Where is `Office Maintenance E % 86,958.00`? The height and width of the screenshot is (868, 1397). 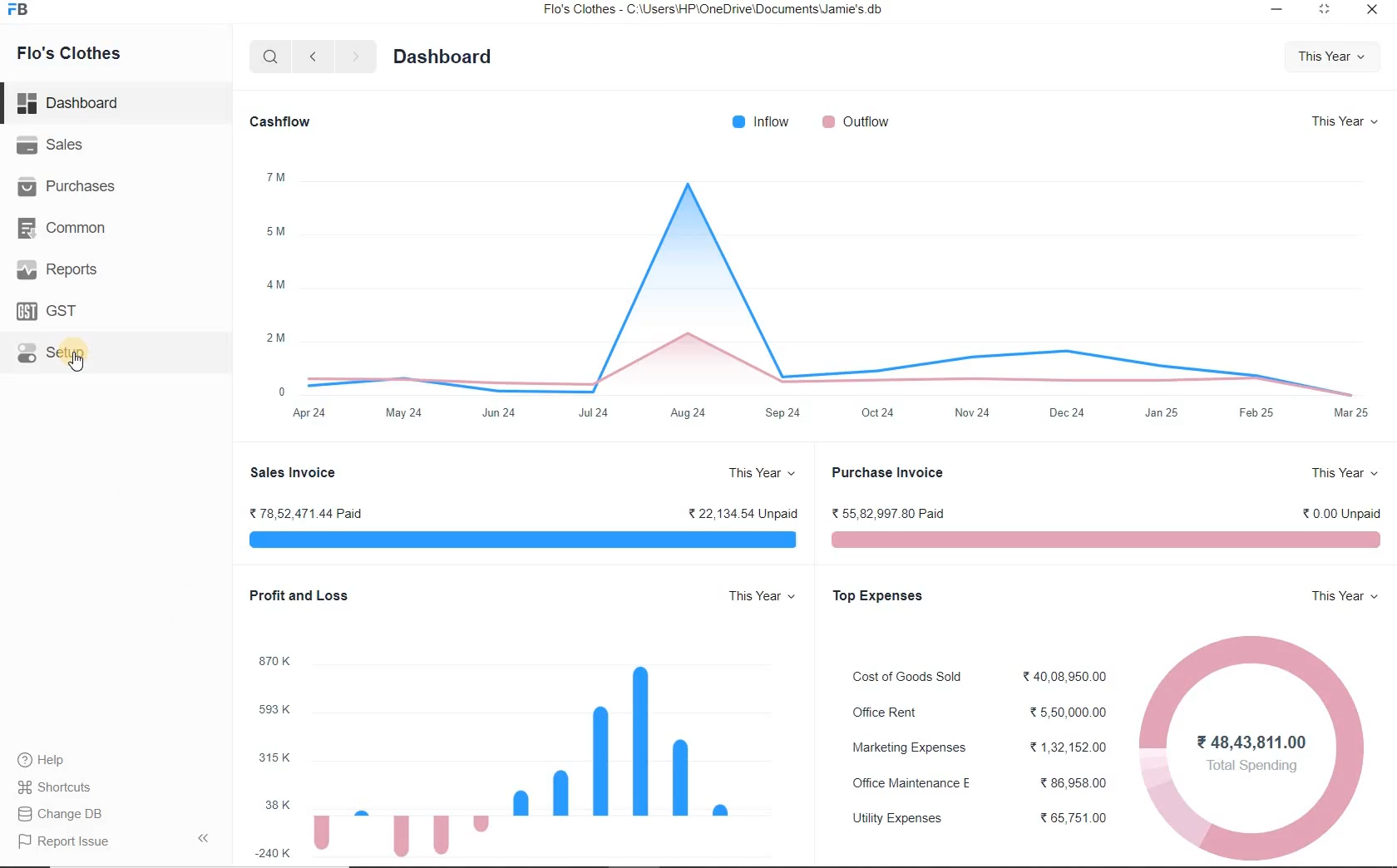 Office Maintenance E % 86,958.00 is located at coordinates (980, 782).